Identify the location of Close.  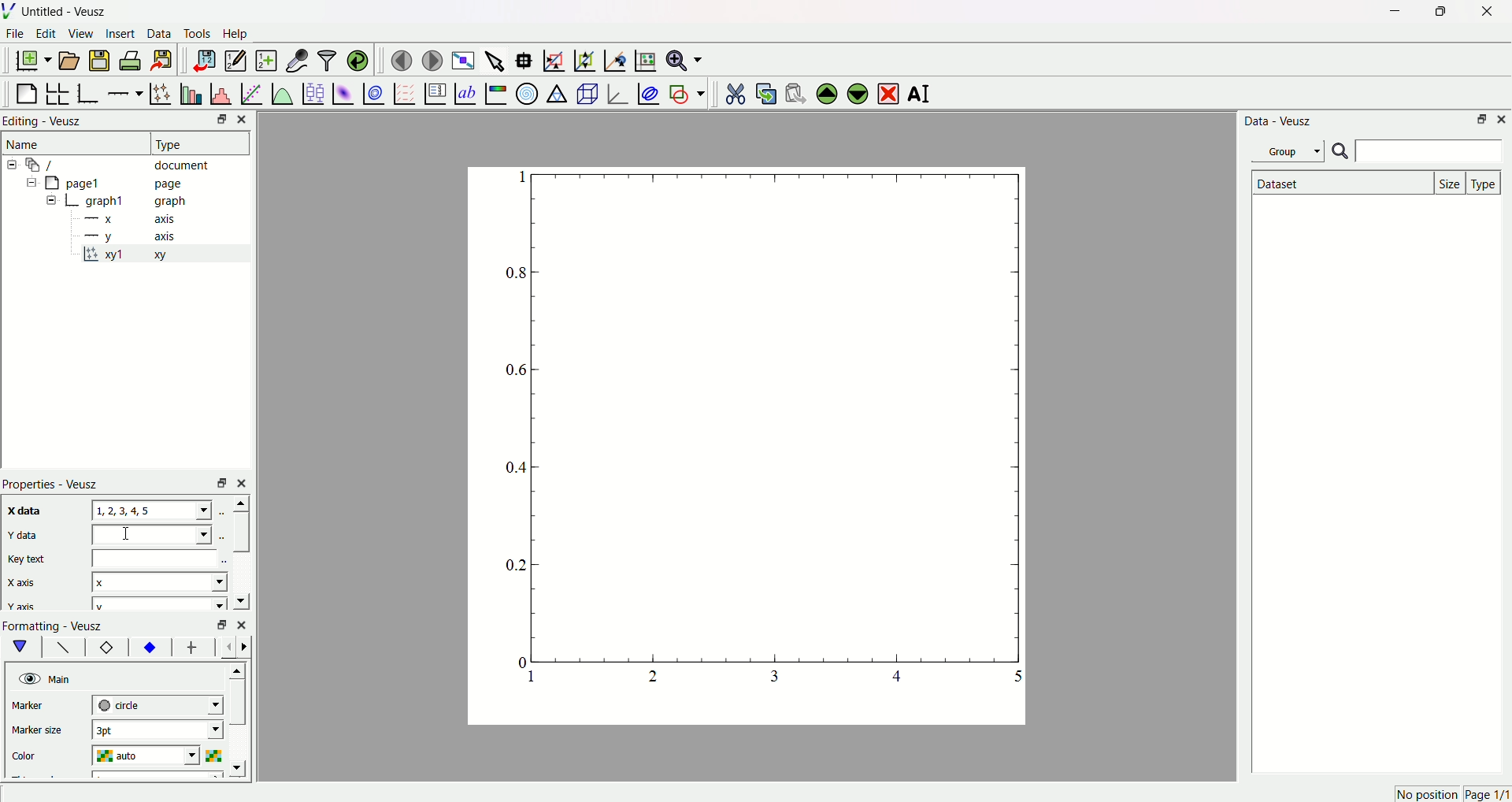
(1503, 120).